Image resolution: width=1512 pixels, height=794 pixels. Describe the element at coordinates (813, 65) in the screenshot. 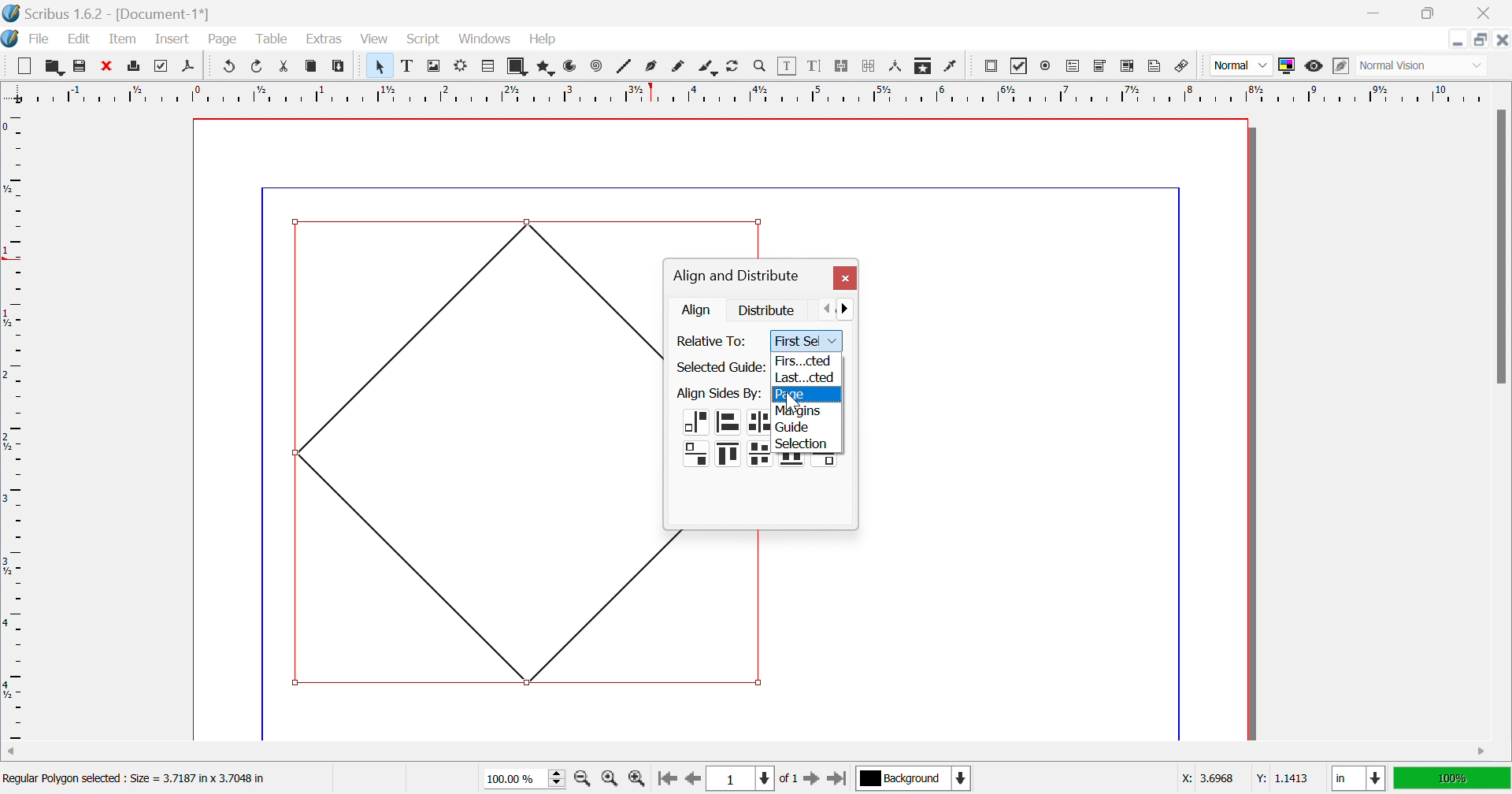

I see `Edit text with story editor` at that location.